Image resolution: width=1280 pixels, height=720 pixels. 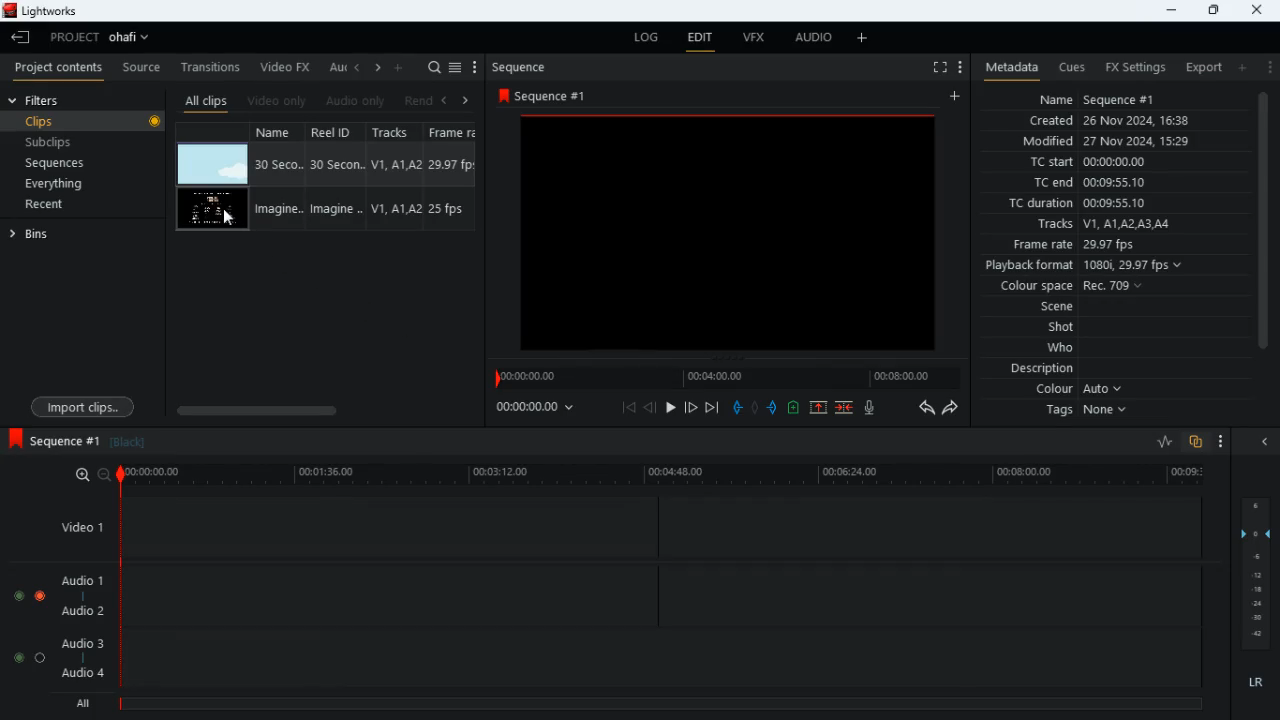 I want to click on sequence, so click(x=53, y=440).